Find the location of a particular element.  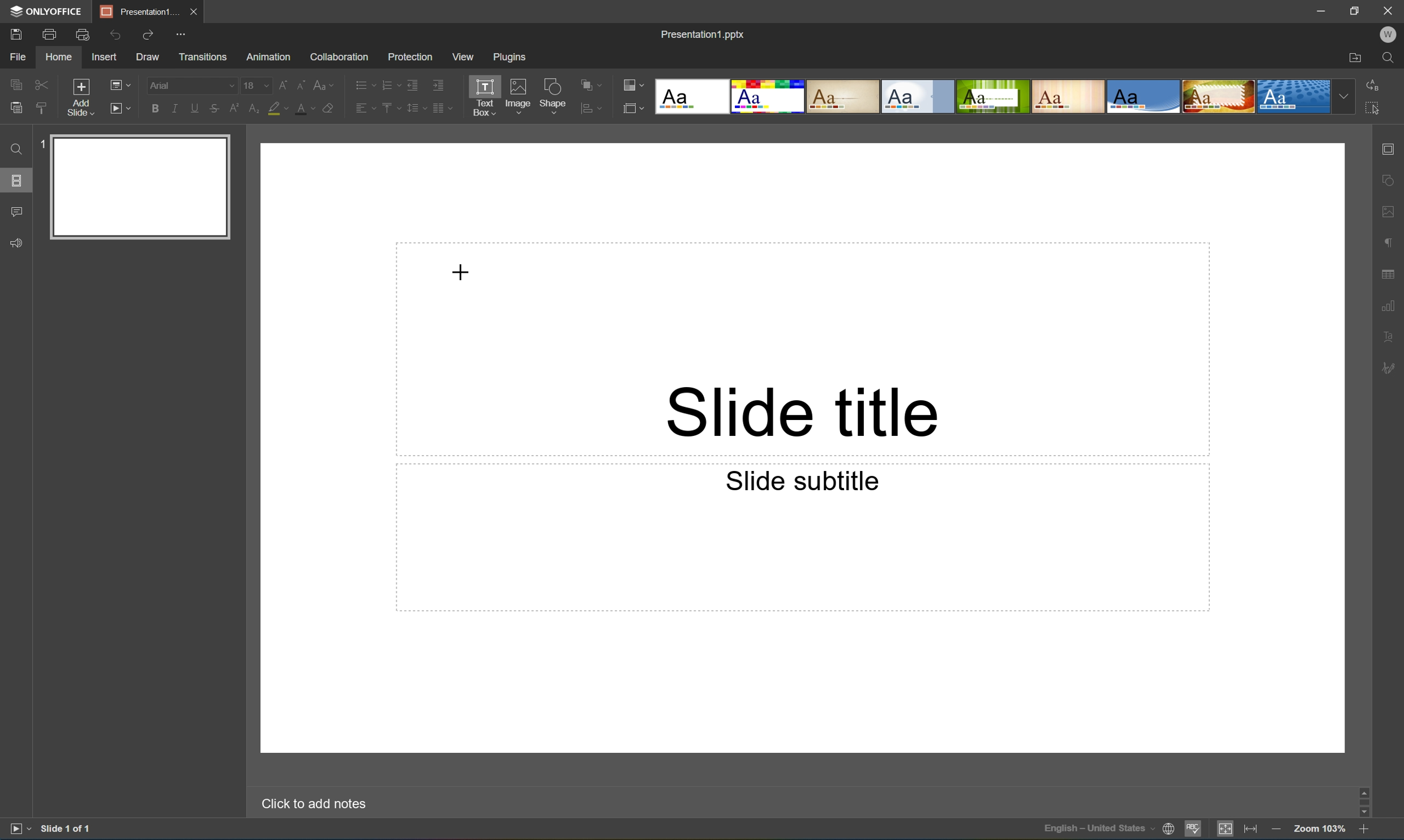

Slide is located at coordinates (142, 187).